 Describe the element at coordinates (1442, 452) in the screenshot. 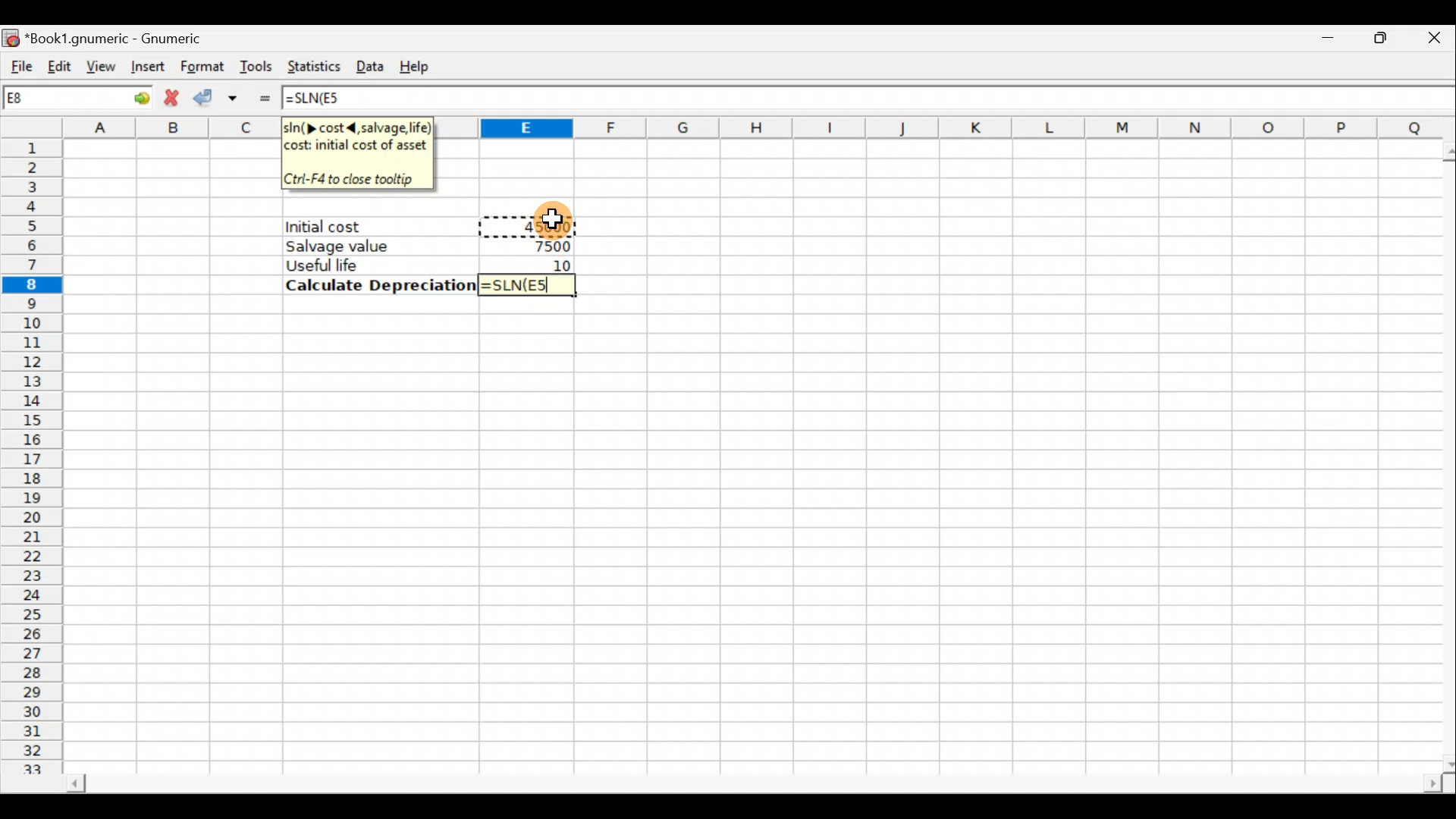

I see `Scroll bar` at that location.